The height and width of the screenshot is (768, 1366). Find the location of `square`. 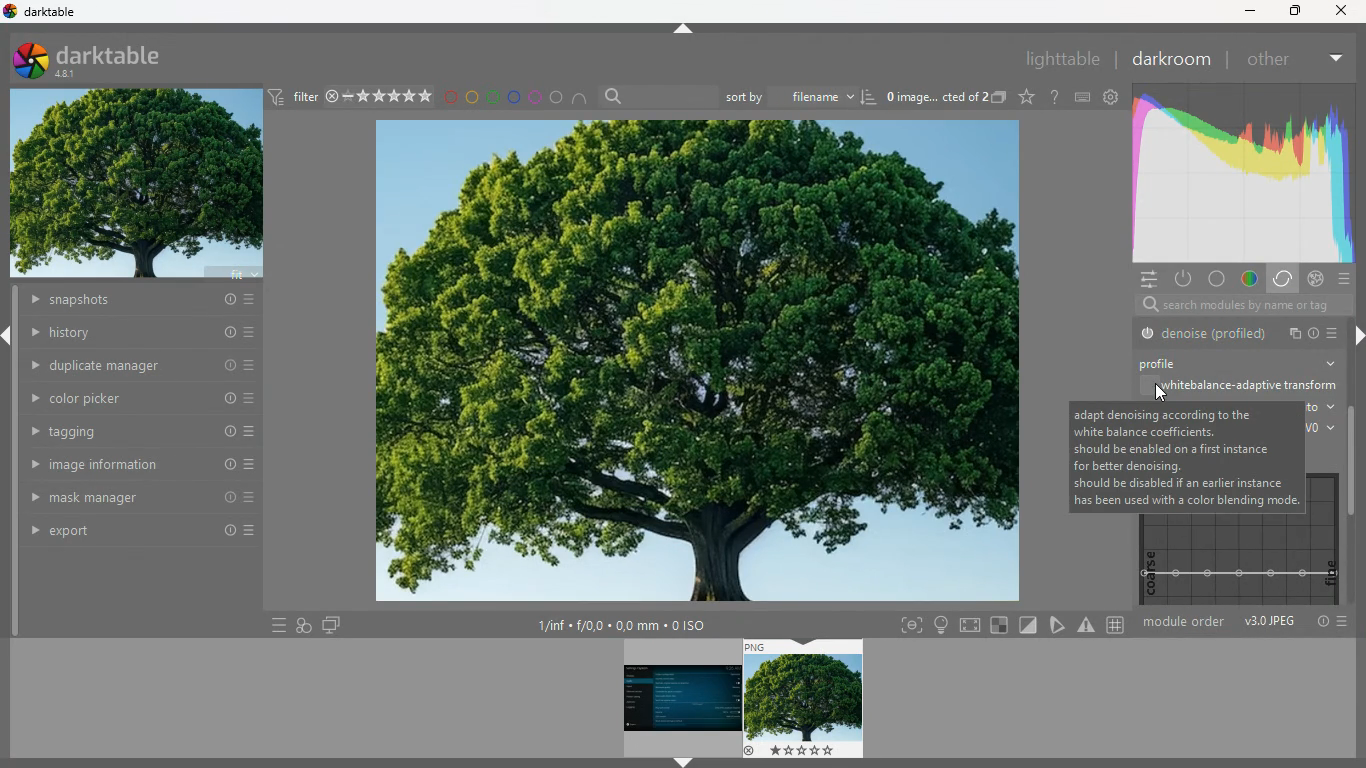

square is located at coordinates (1001, 625).